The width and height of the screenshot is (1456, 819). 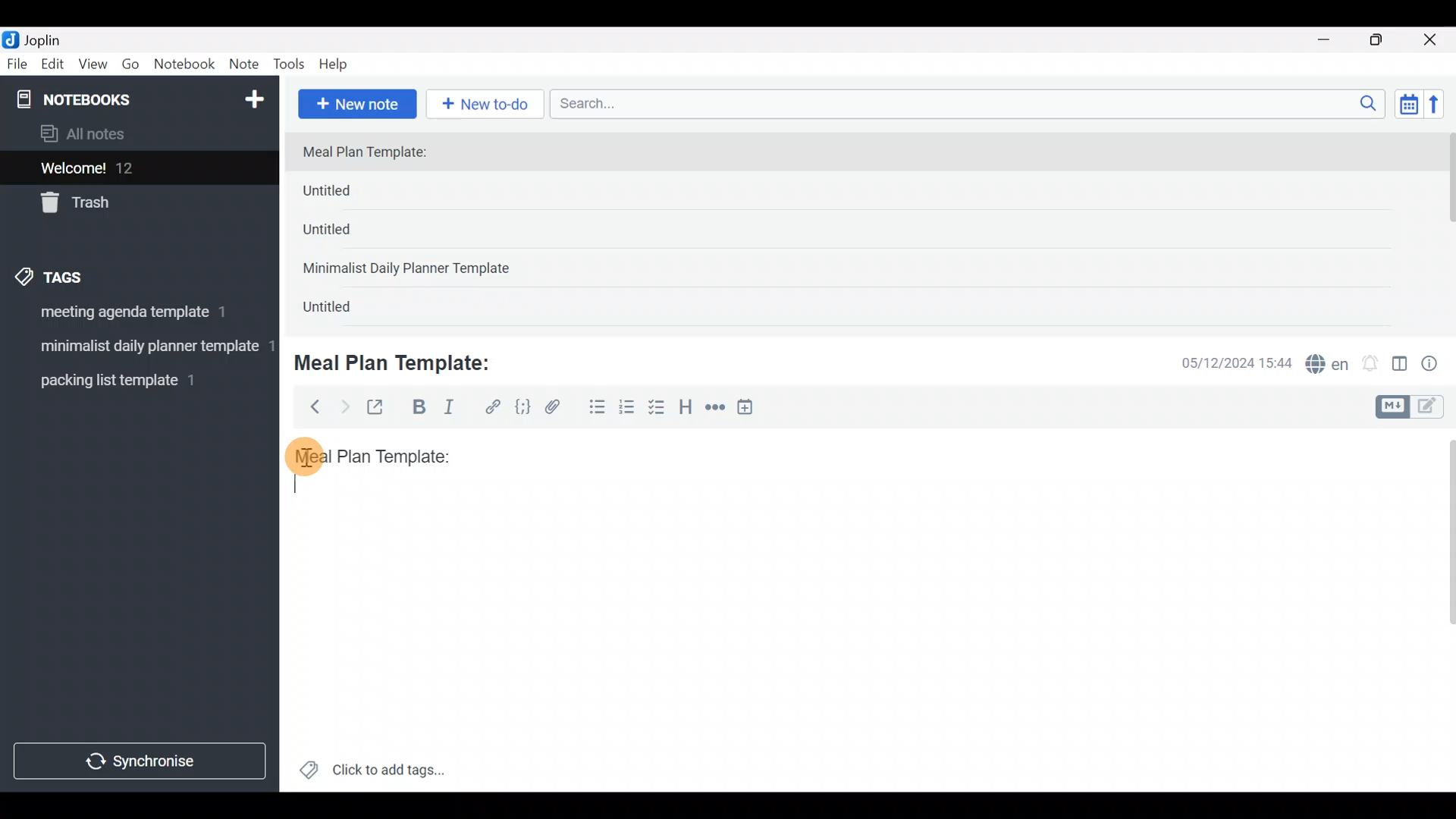 I want to click on New to-do, so click(x=488, y=105).